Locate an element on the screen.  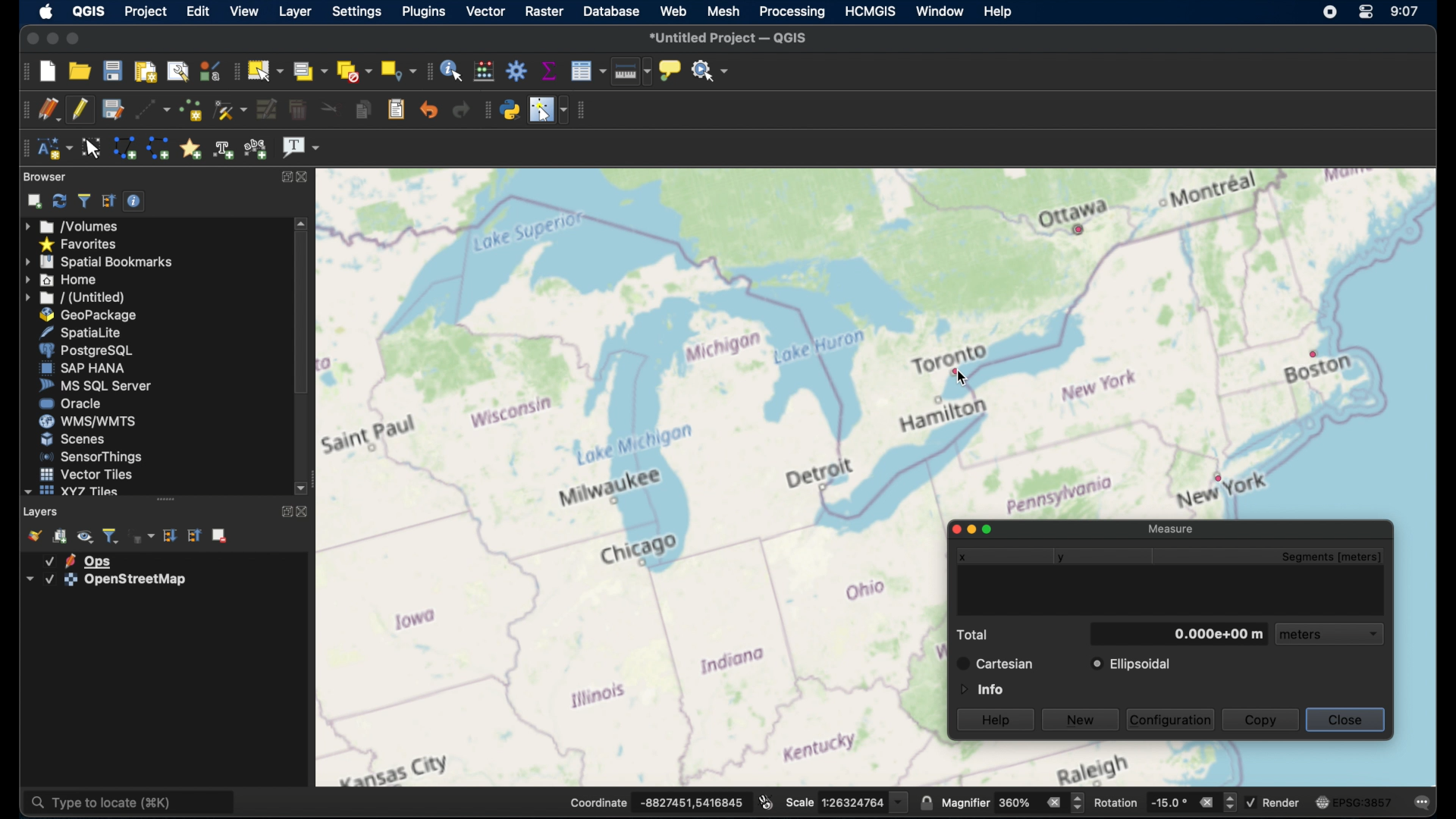
scroll box is located at coordinates (301, 316).